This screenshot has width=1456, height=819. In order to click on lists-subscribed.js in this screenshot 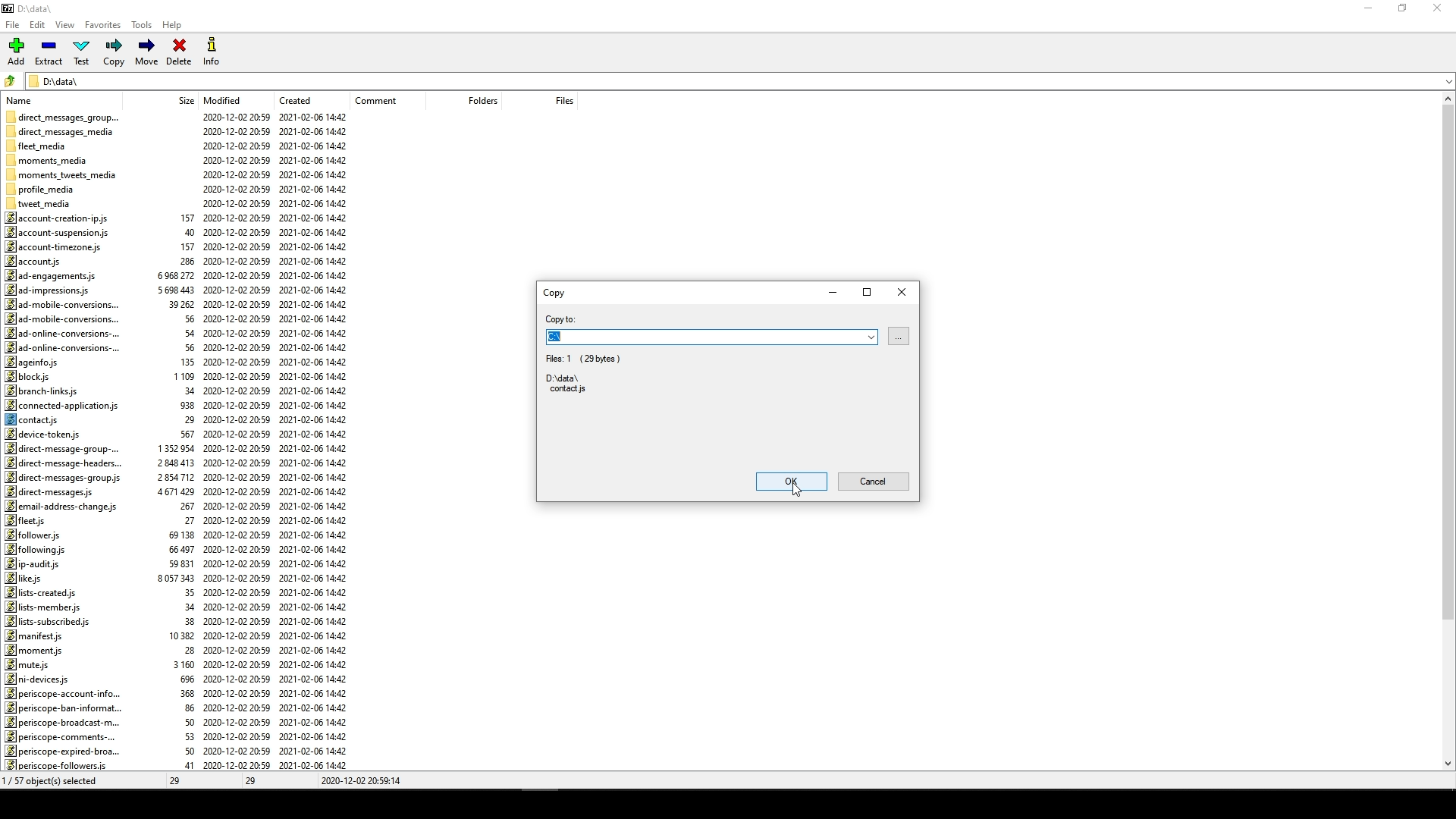, I will do `click(51, 621)`.